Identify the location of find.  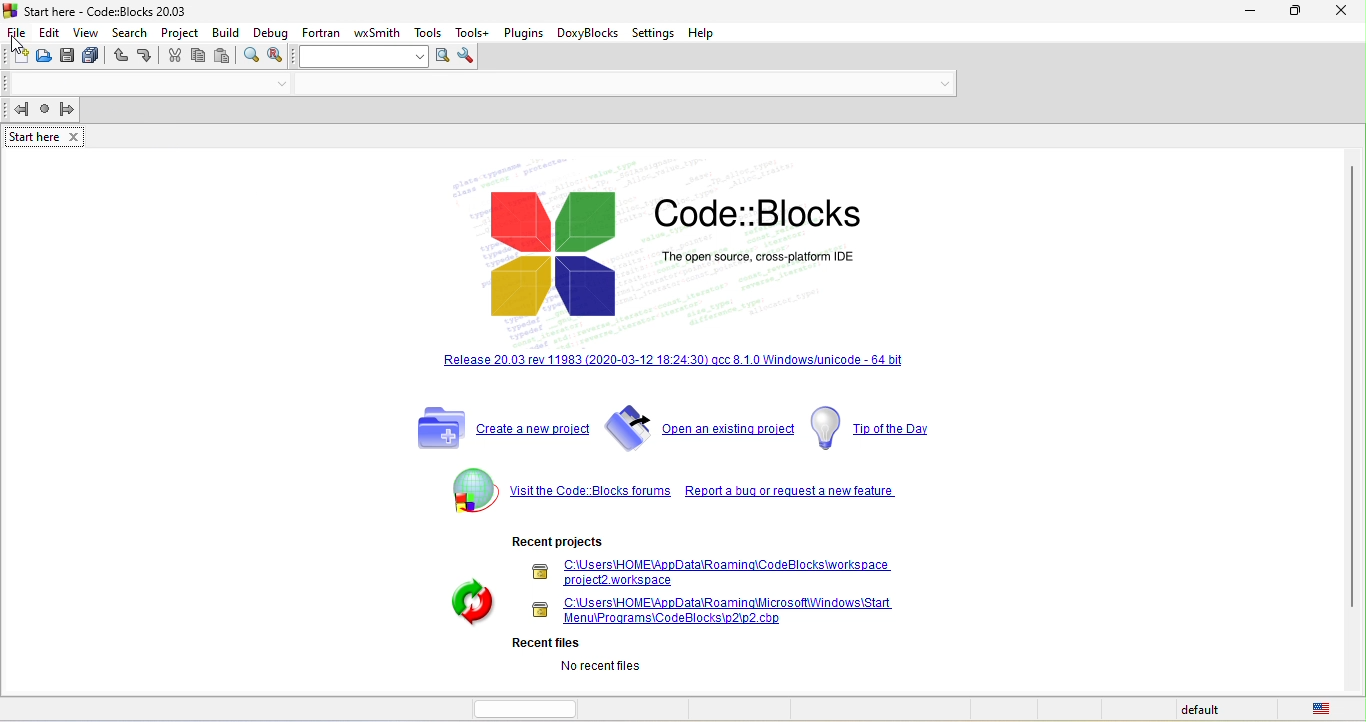
(252, 58).